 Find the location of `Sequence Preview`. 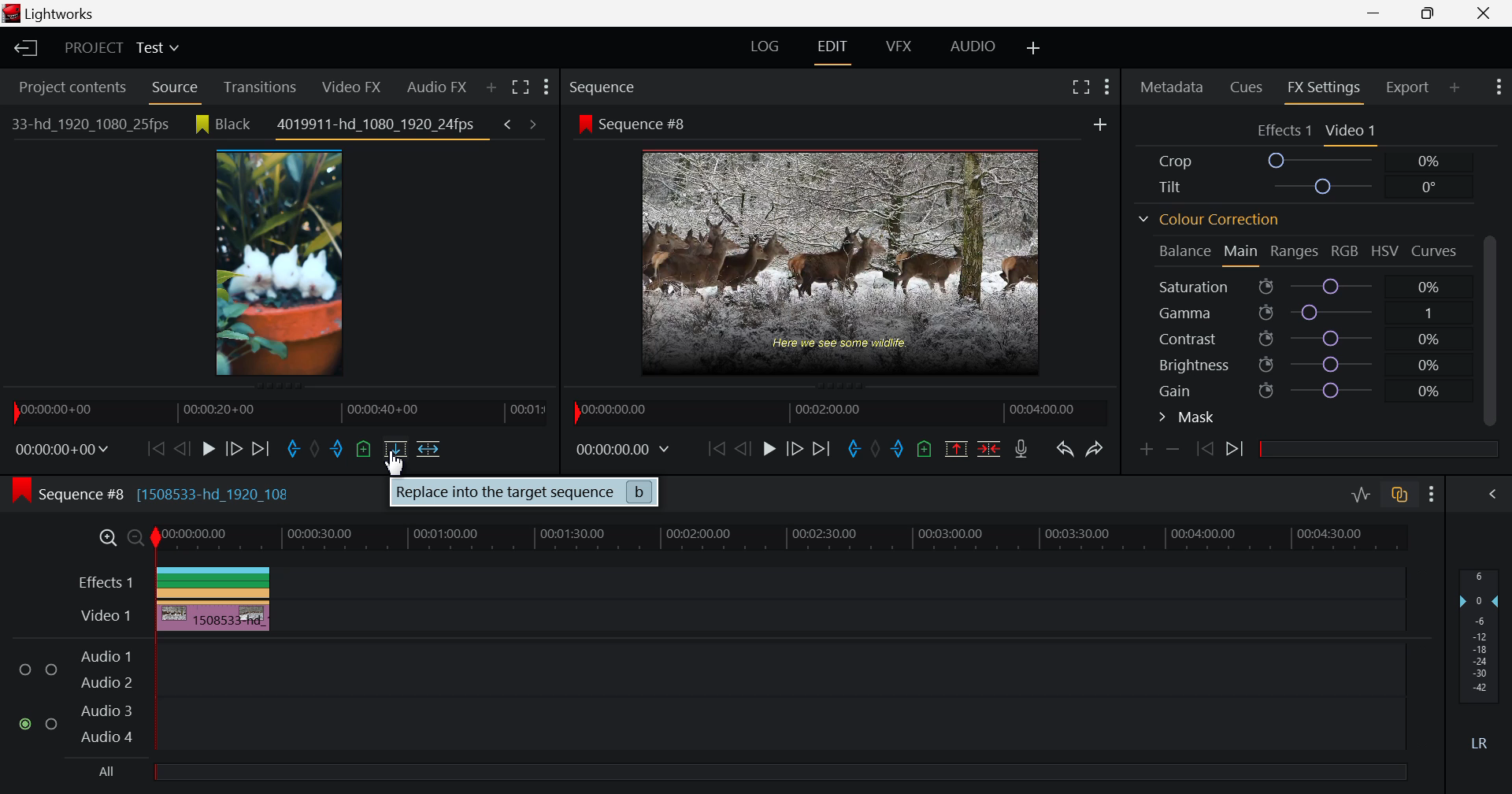

Sequence Preview is located at coordinates (817, 250).